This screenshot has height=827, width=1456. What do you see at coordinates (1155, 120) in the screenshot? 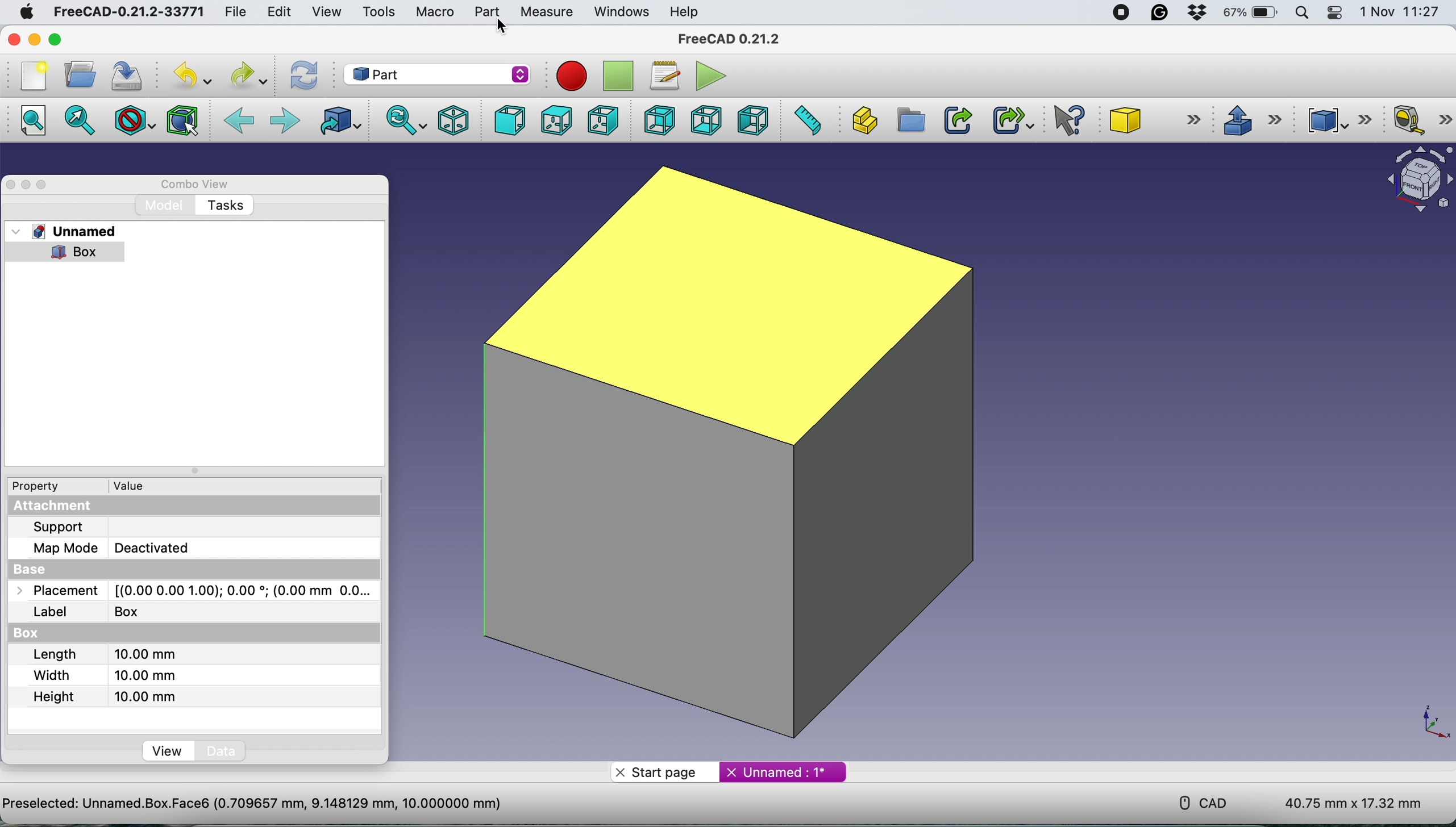
I see `sube` at bounding box center [1155, 120].